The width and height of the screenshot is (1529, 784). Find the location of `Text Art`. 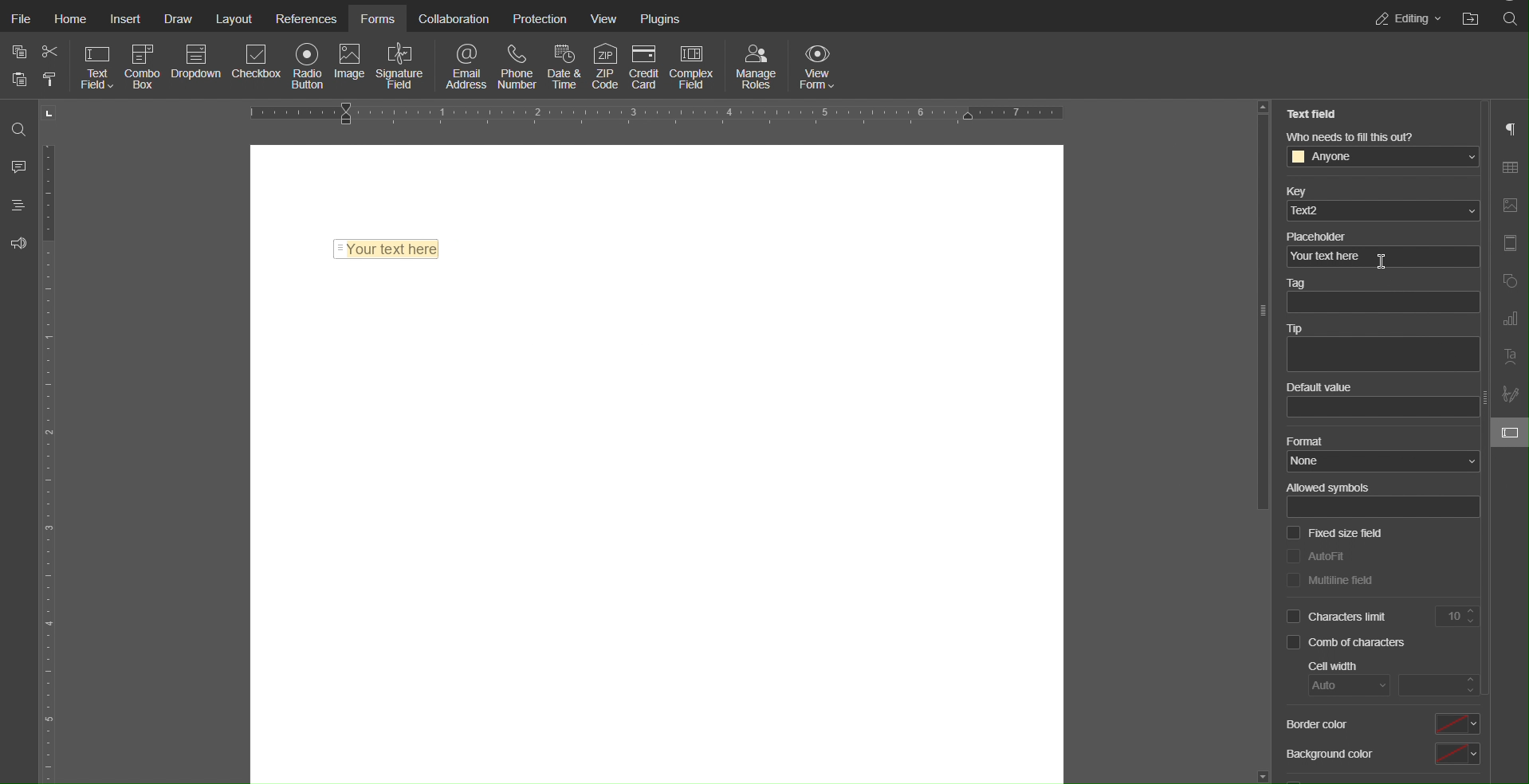

Text Art is located at coordinates (1509, 358).